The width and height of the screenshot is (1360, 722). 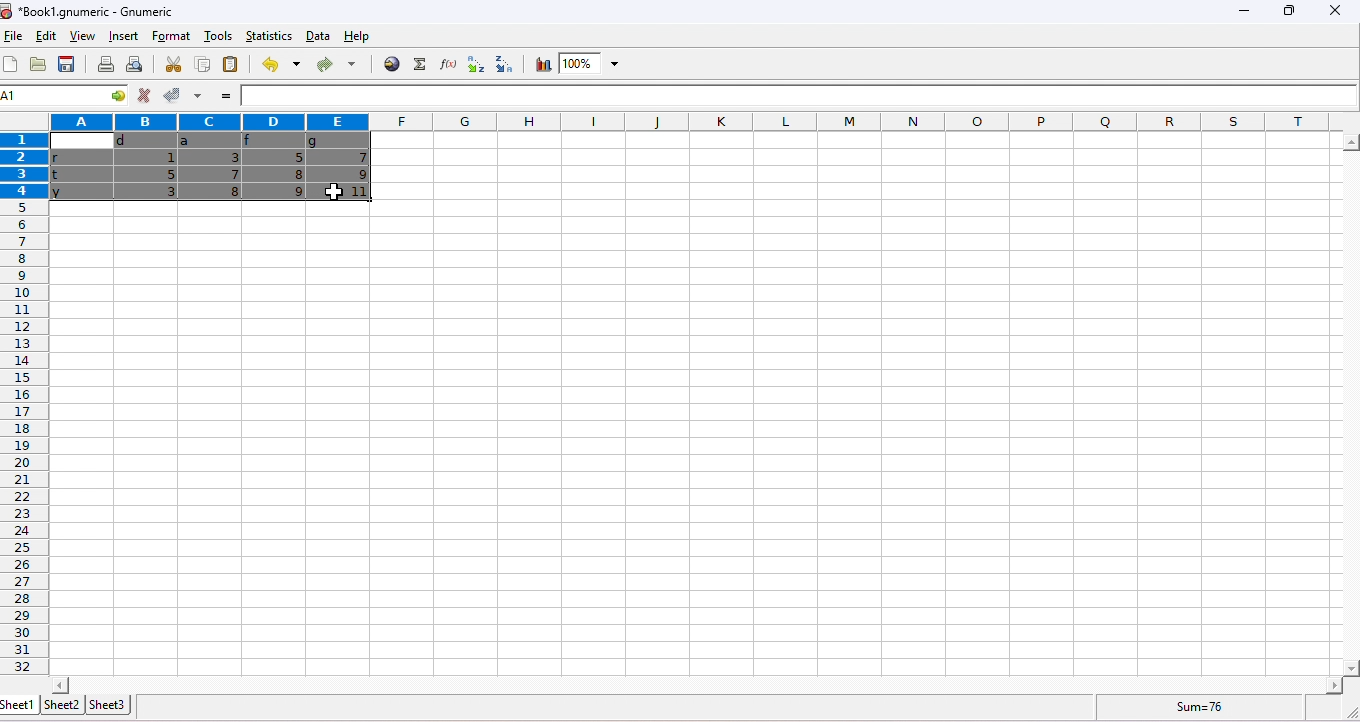 What do you see at coordinates (1241, 14) in the screenshot?
I see `minimize` at bounding box center [1241, 14].